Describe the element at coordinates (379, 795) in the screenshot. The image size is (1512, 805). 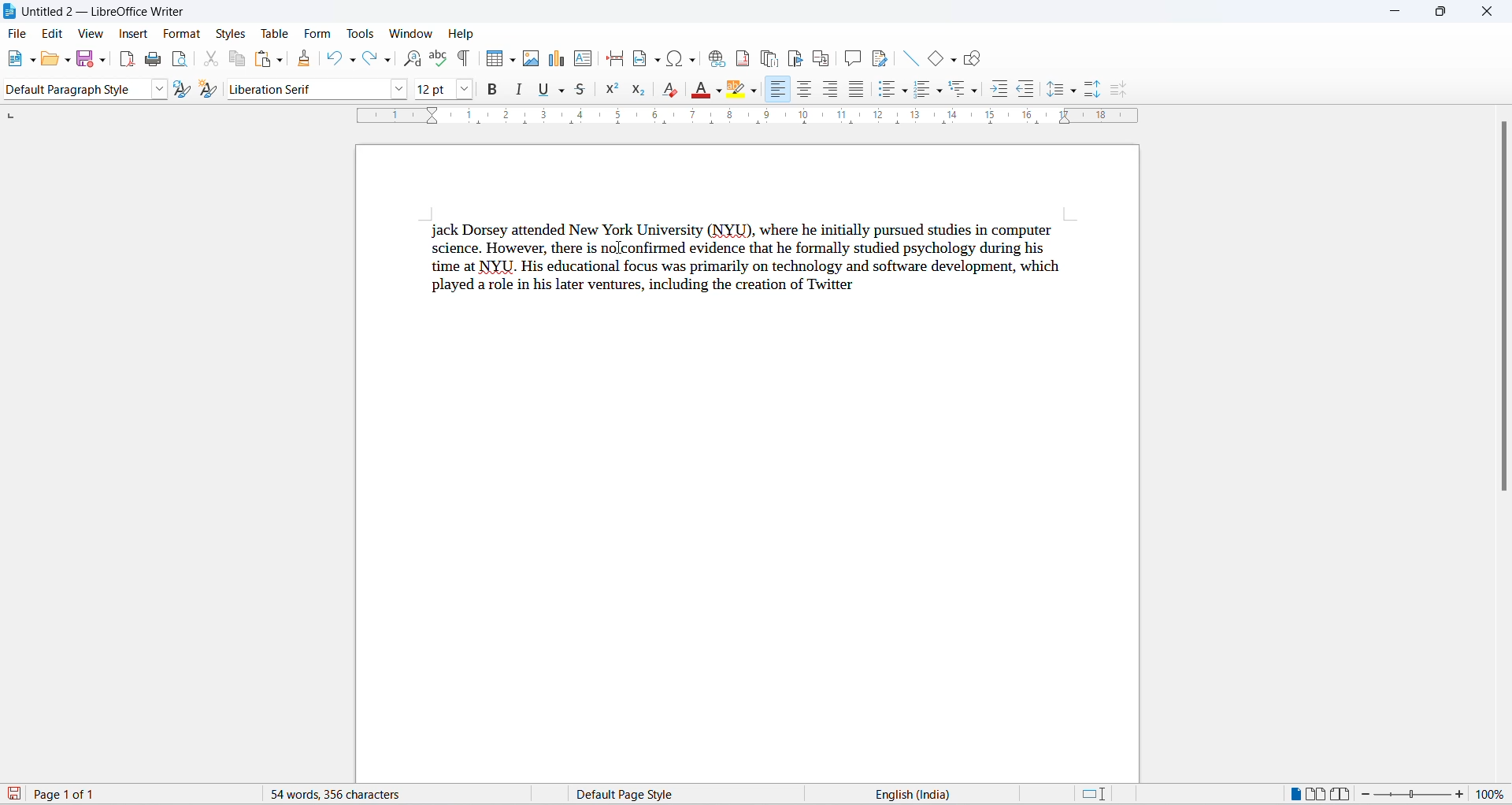
I see `54 words, 356 characters` at that location.